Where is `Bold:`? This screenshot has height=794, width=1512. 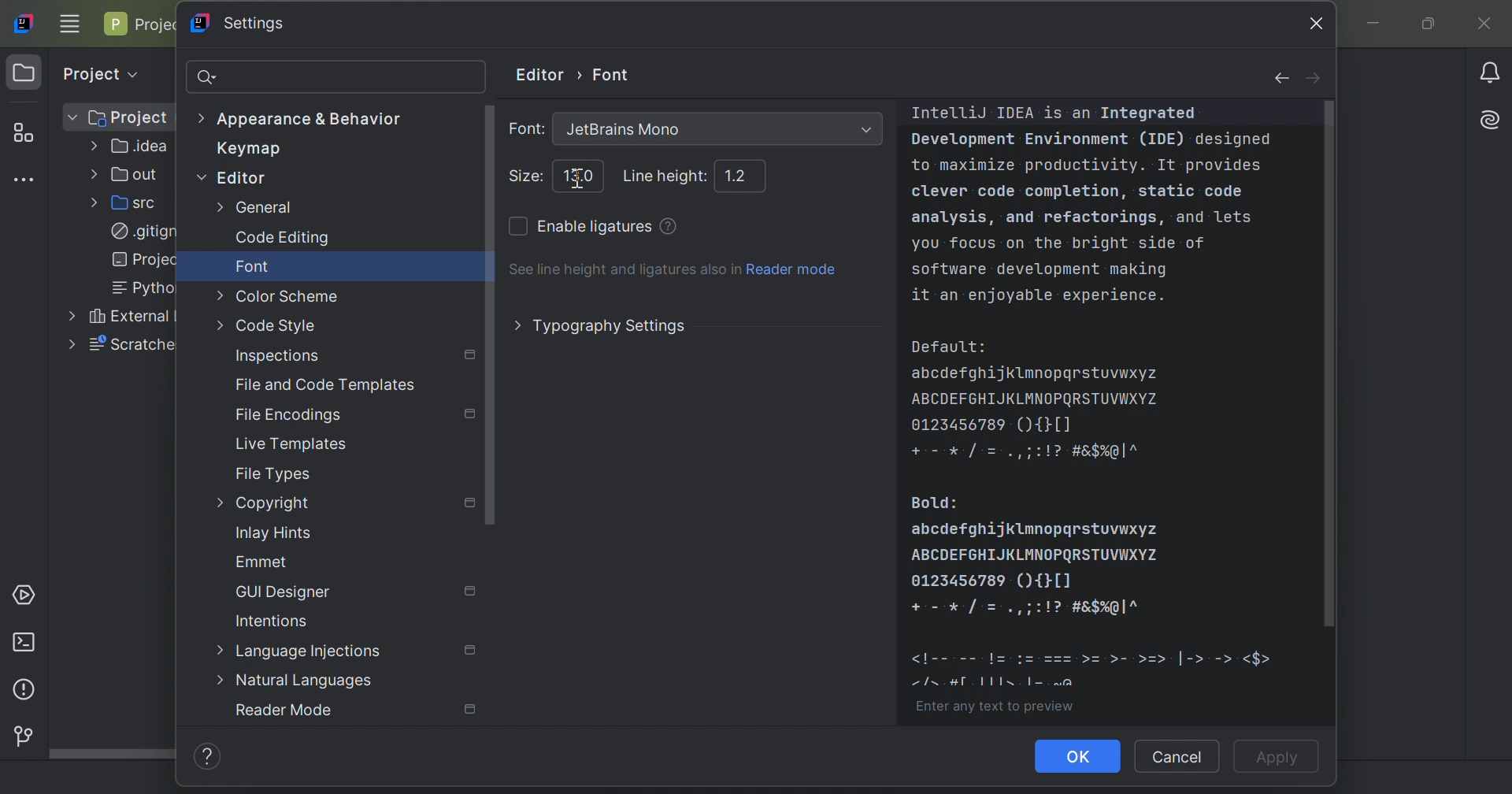 Bold: is located at coordinates (936, 503).